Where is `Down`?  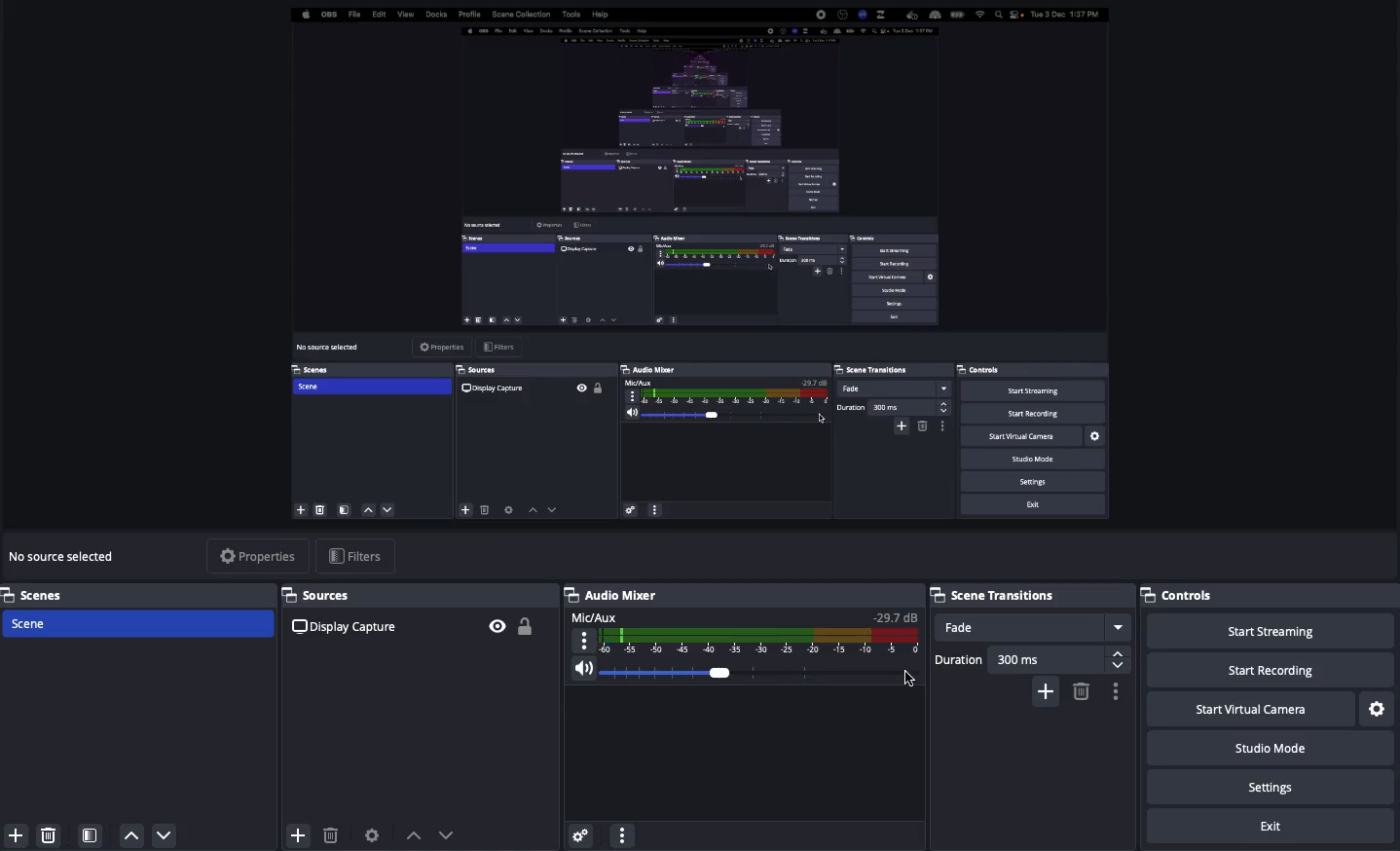
Down is located at coordinates (166, 837).